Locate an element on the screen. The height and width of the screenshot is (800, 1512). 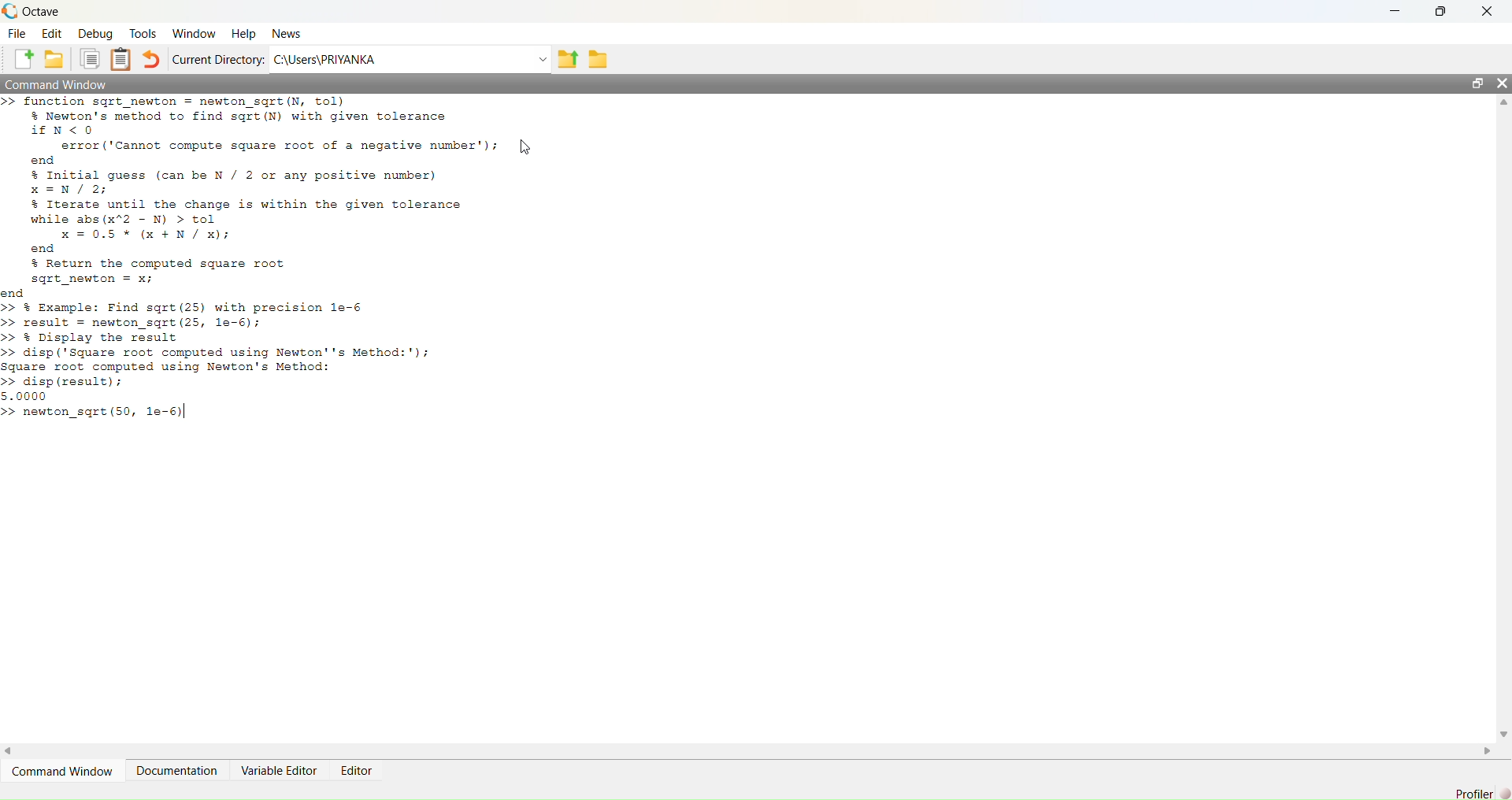
Window is located at coordinates (194, 32).